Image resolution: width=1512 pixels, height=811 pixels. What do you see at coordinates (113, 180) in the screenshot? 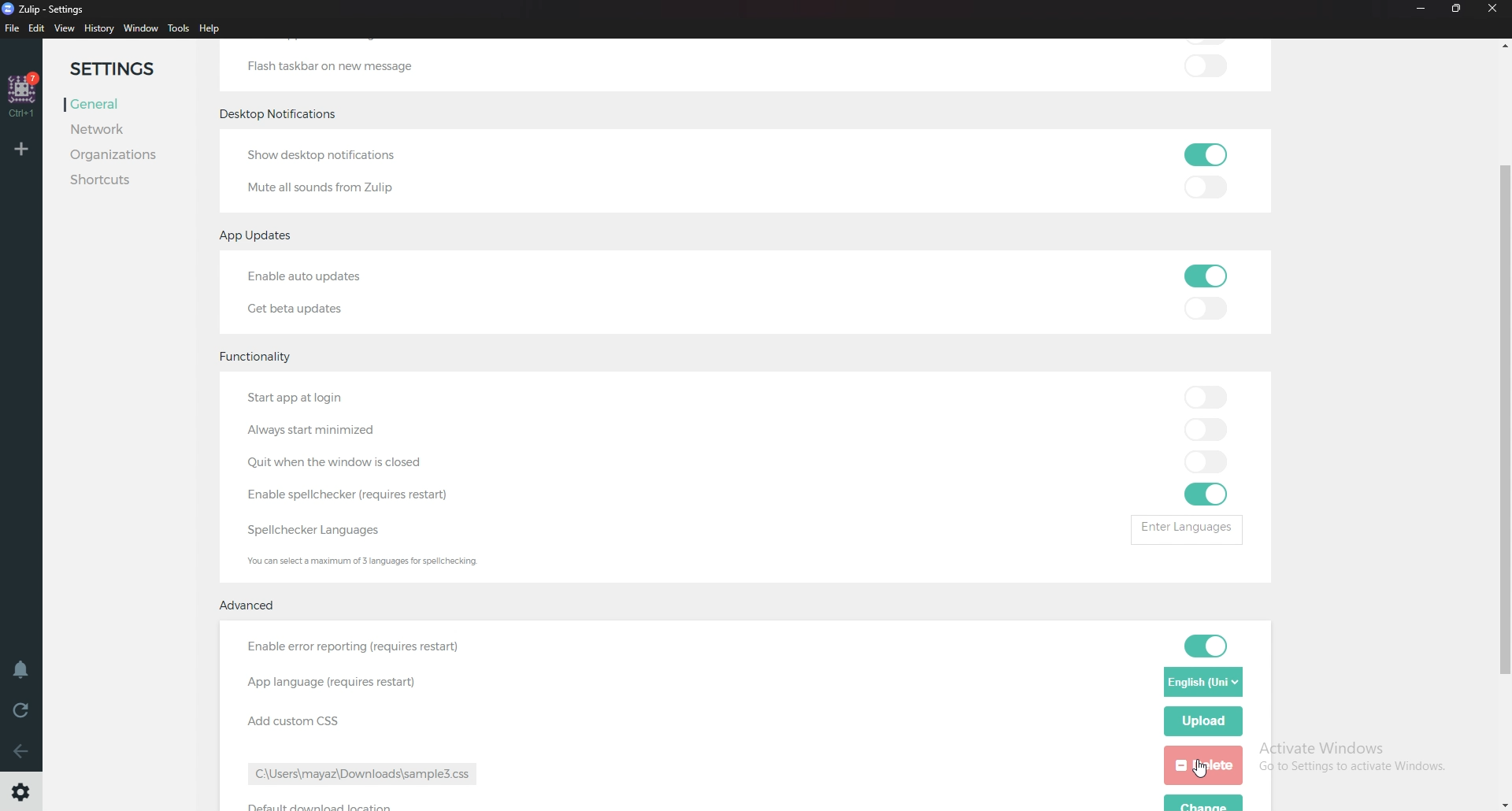
I see `Shortcuts` at bounding box center [113, 180].